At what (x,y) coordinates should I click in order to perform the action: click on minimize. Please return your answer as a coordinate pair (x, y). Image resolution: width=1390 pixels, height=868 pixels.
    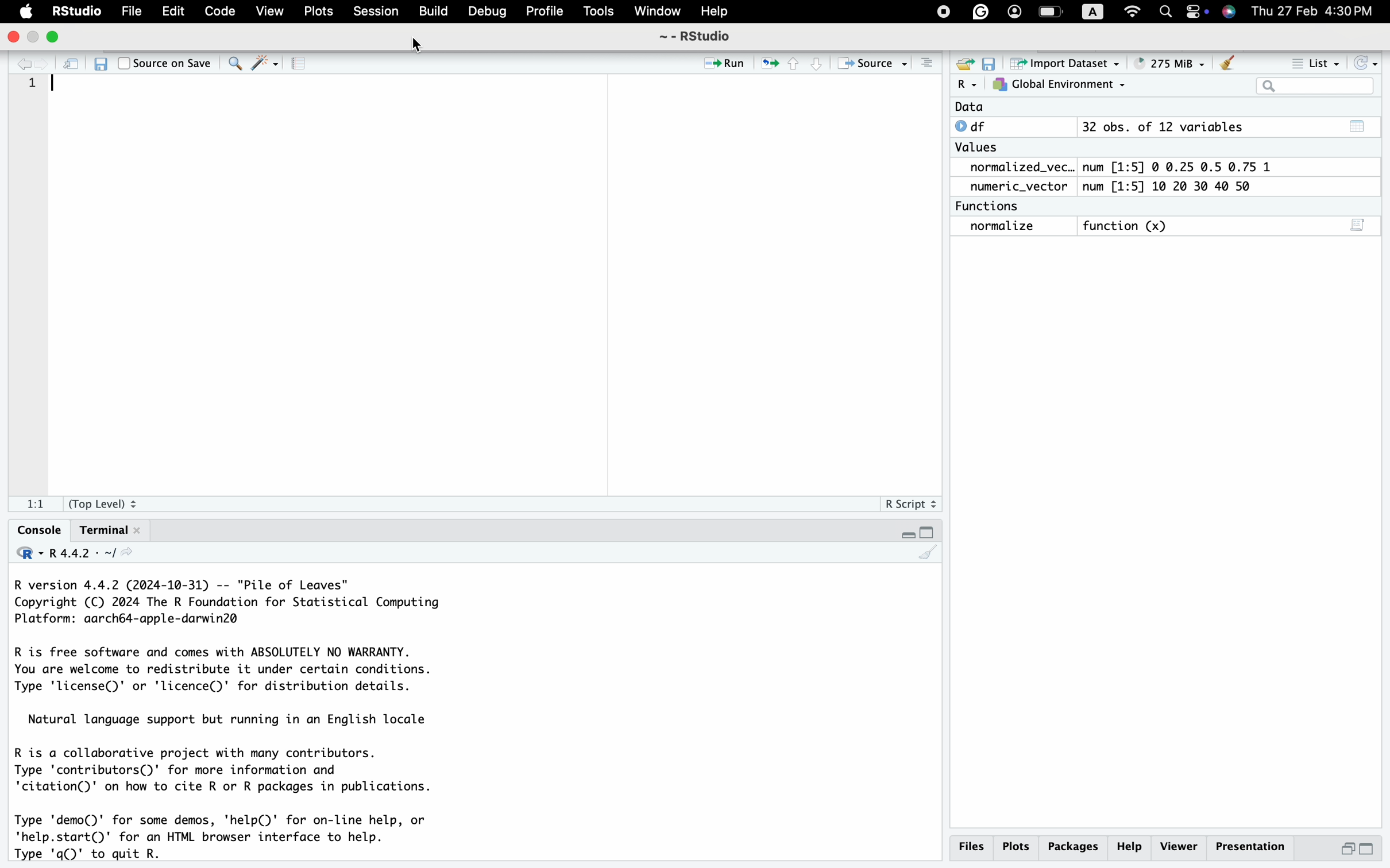
    Looking at the image, I should click on (903, 530).